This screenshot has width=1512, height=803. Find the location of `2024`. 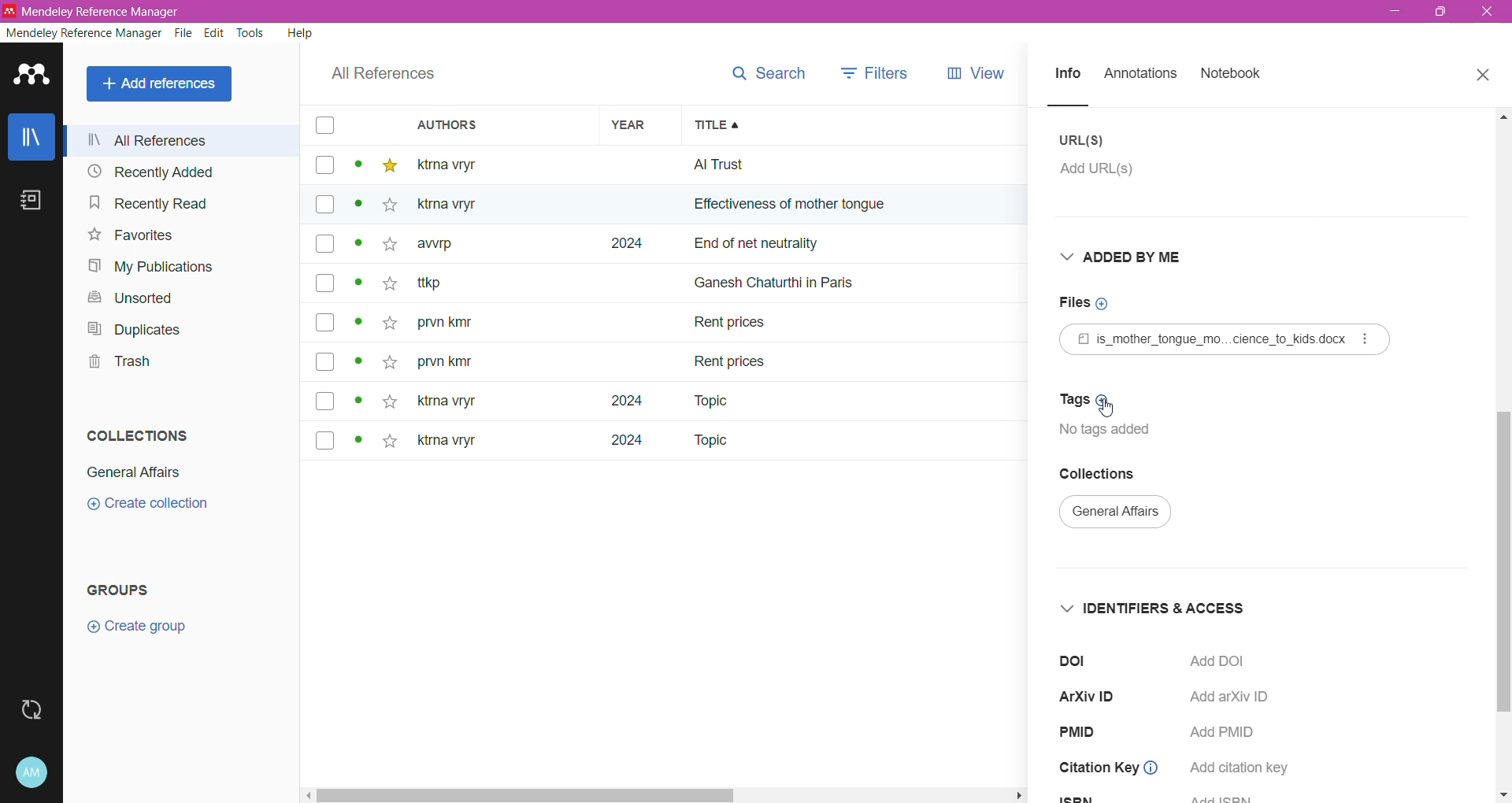

2024 is located at coordinates (613, 401).